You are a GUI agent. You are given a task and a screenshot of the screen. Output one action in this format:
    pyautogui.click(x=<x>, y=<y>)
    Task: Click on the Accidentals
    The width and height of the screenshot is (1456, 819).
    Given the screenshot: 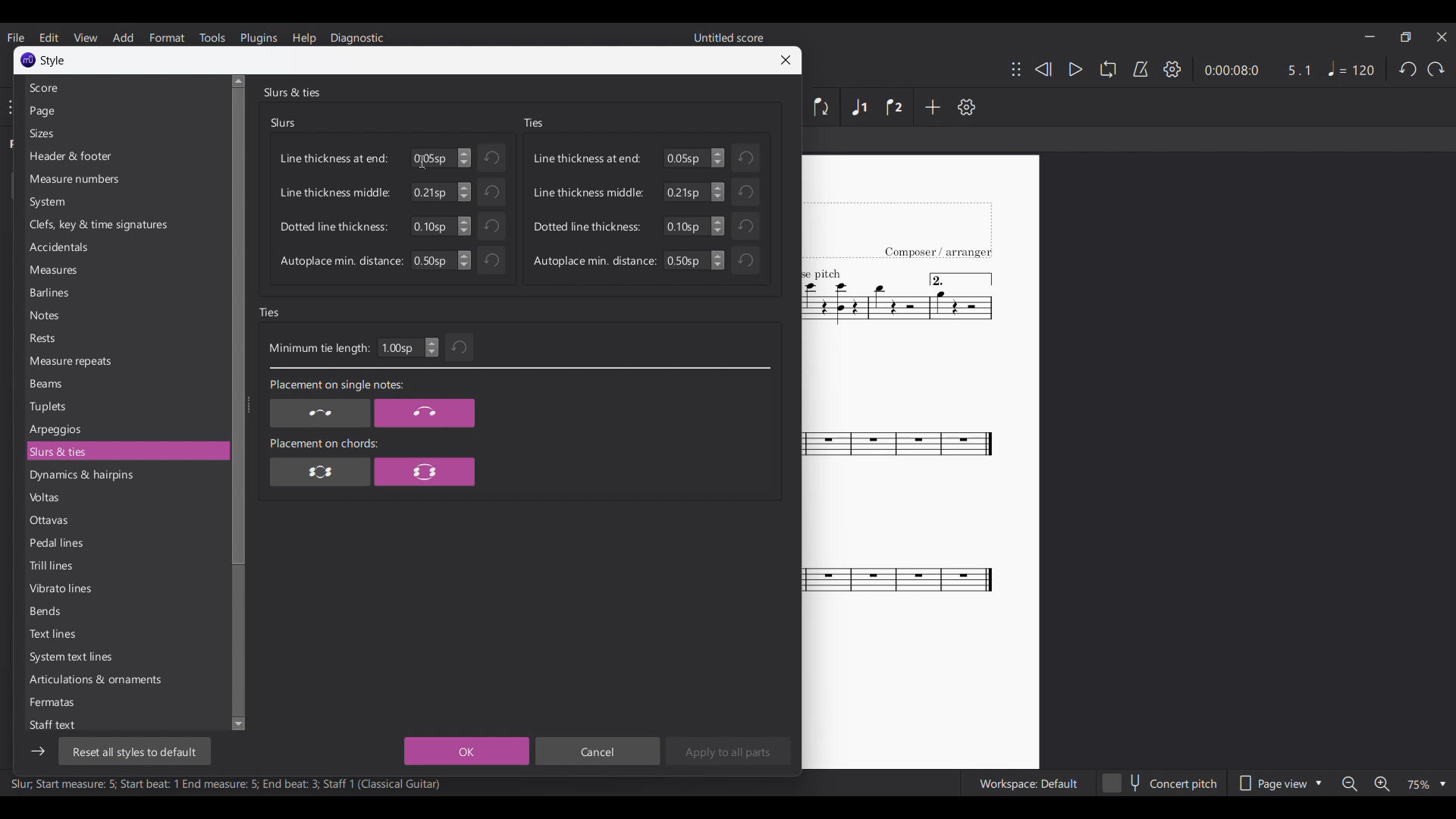 What is the action you would take?
    pyautogui.click(x=124, y=247)
    